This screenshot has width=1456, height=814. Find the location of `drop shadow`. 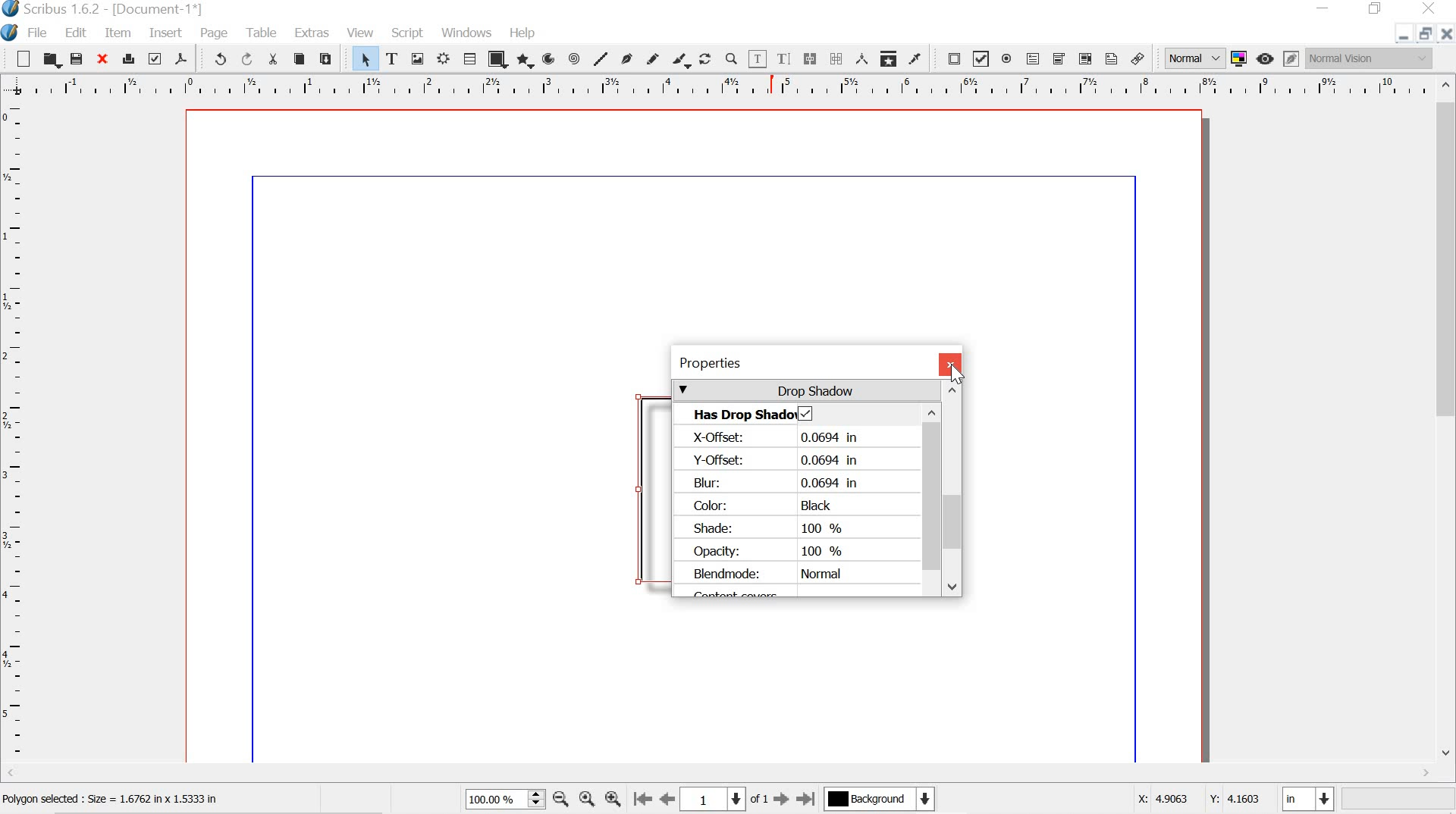

drop shadow is located at coordinates (806, 390).